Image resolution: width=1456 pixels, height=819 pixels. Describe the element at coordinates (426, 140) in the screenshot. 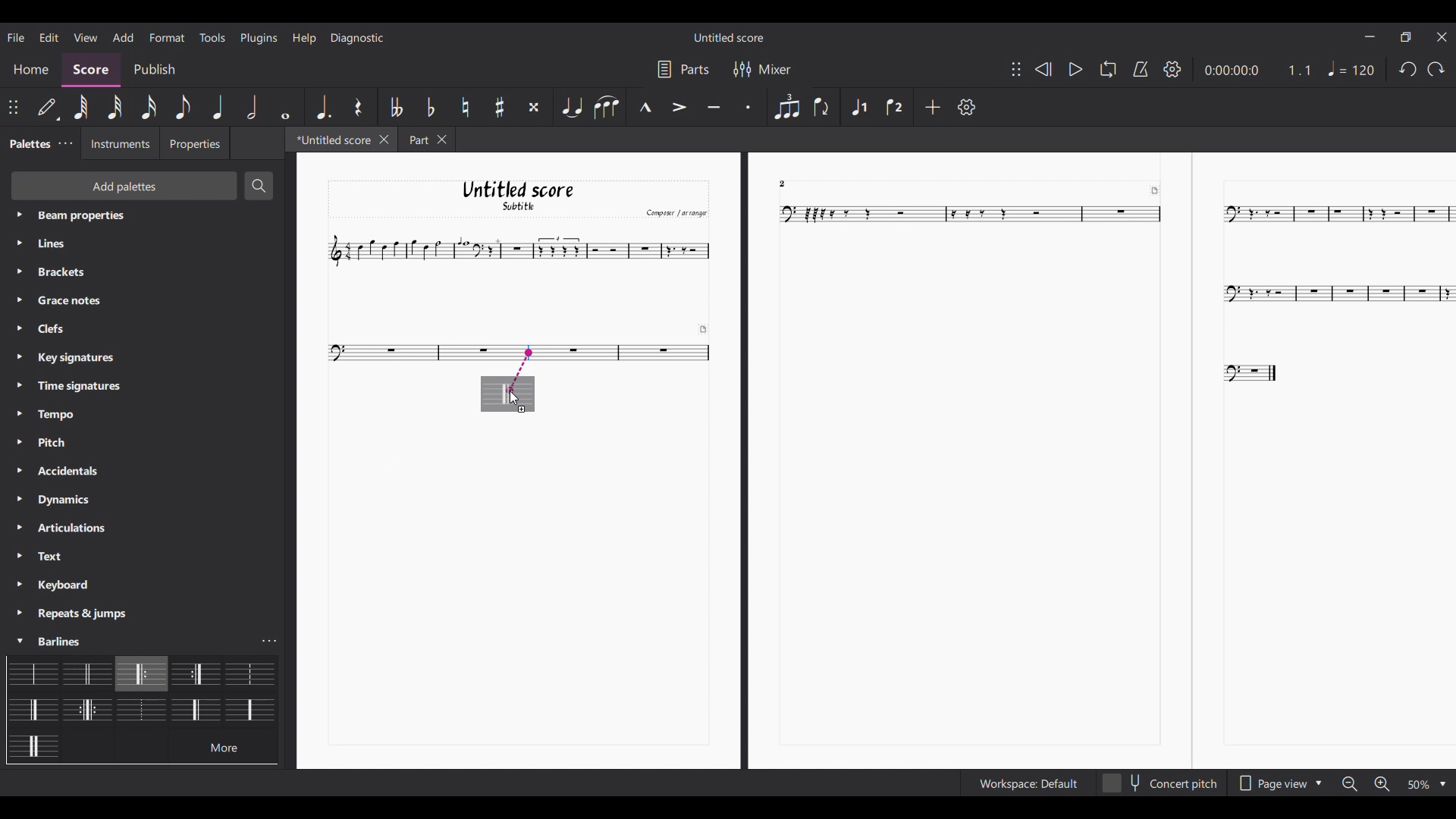

I see `Other tab` at that location.